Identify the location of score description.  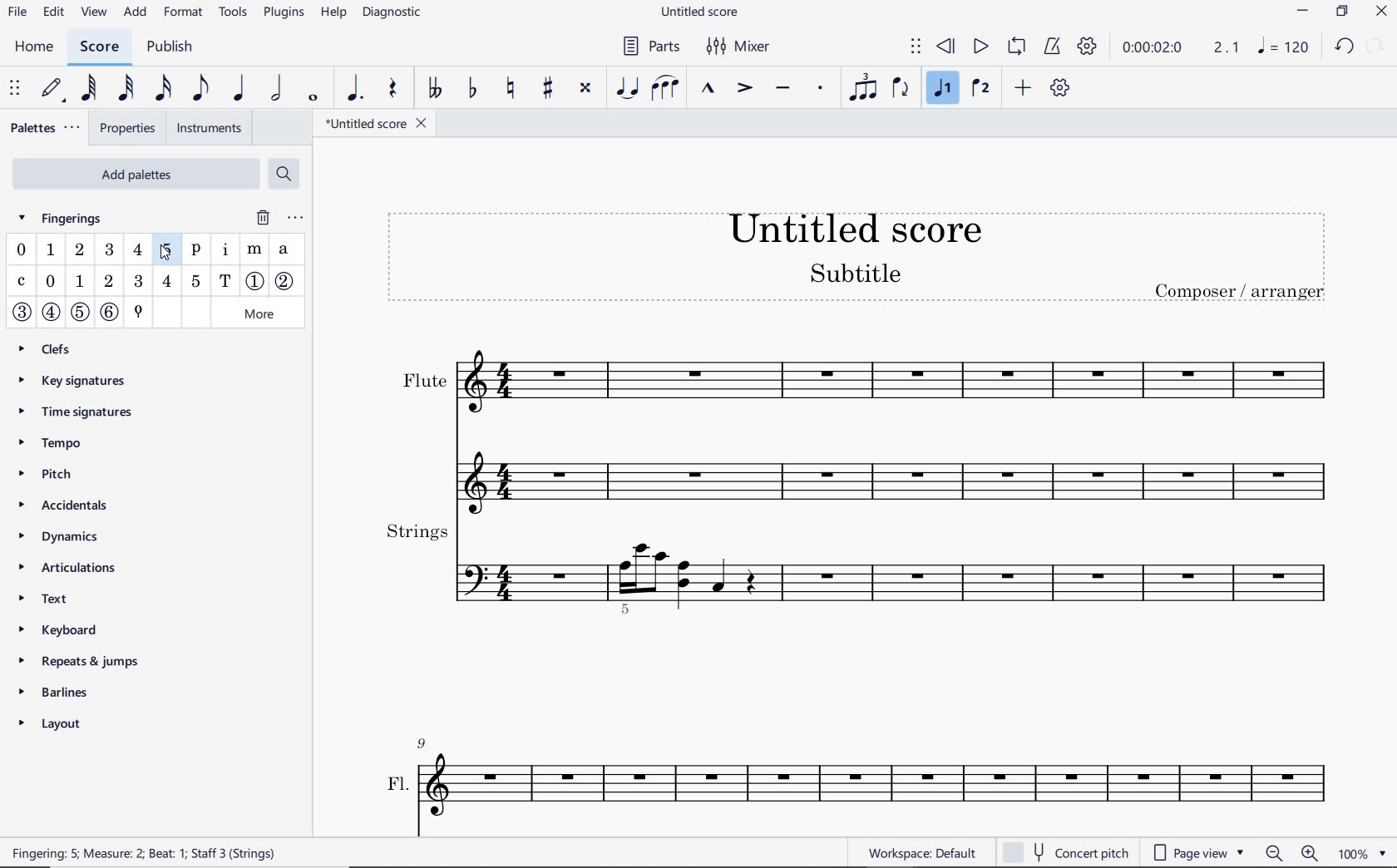
(223, 853).